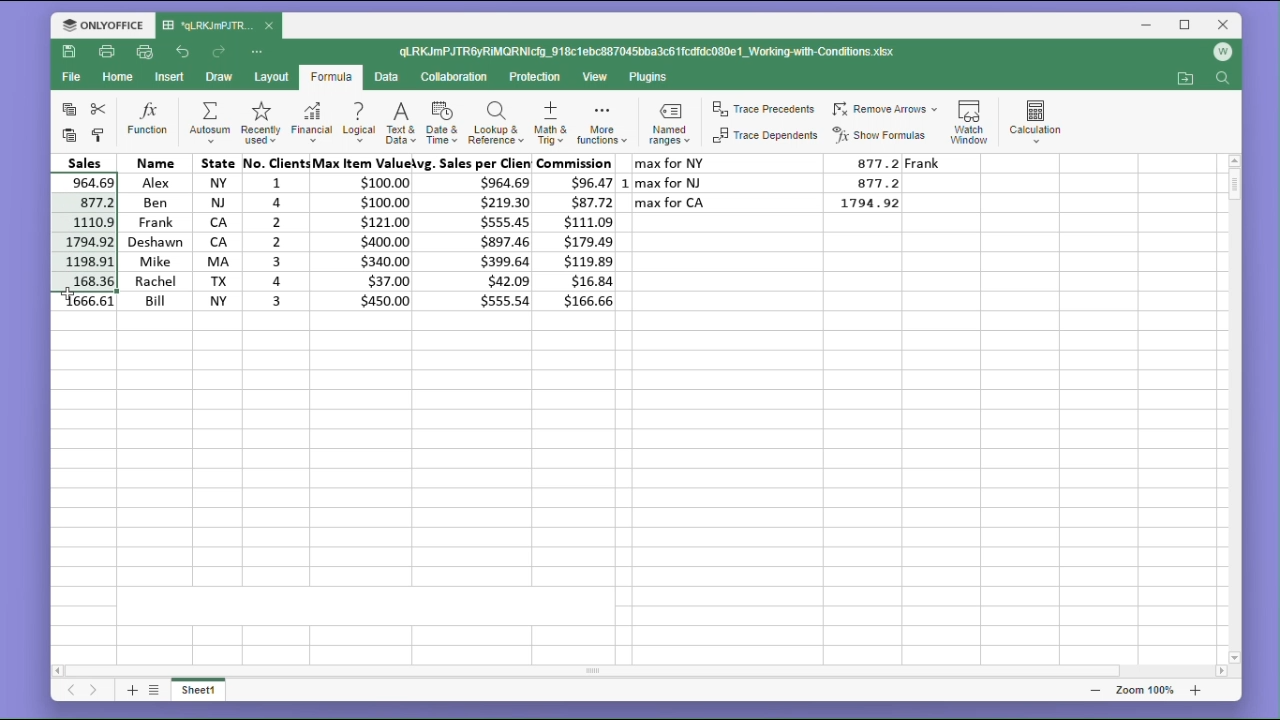 Image resolution: width=1280 pixels, height=720 pixels. What do you see at coordinates (148, 120) in the screenshot?
I see `function` at bounding box center [148, 120].